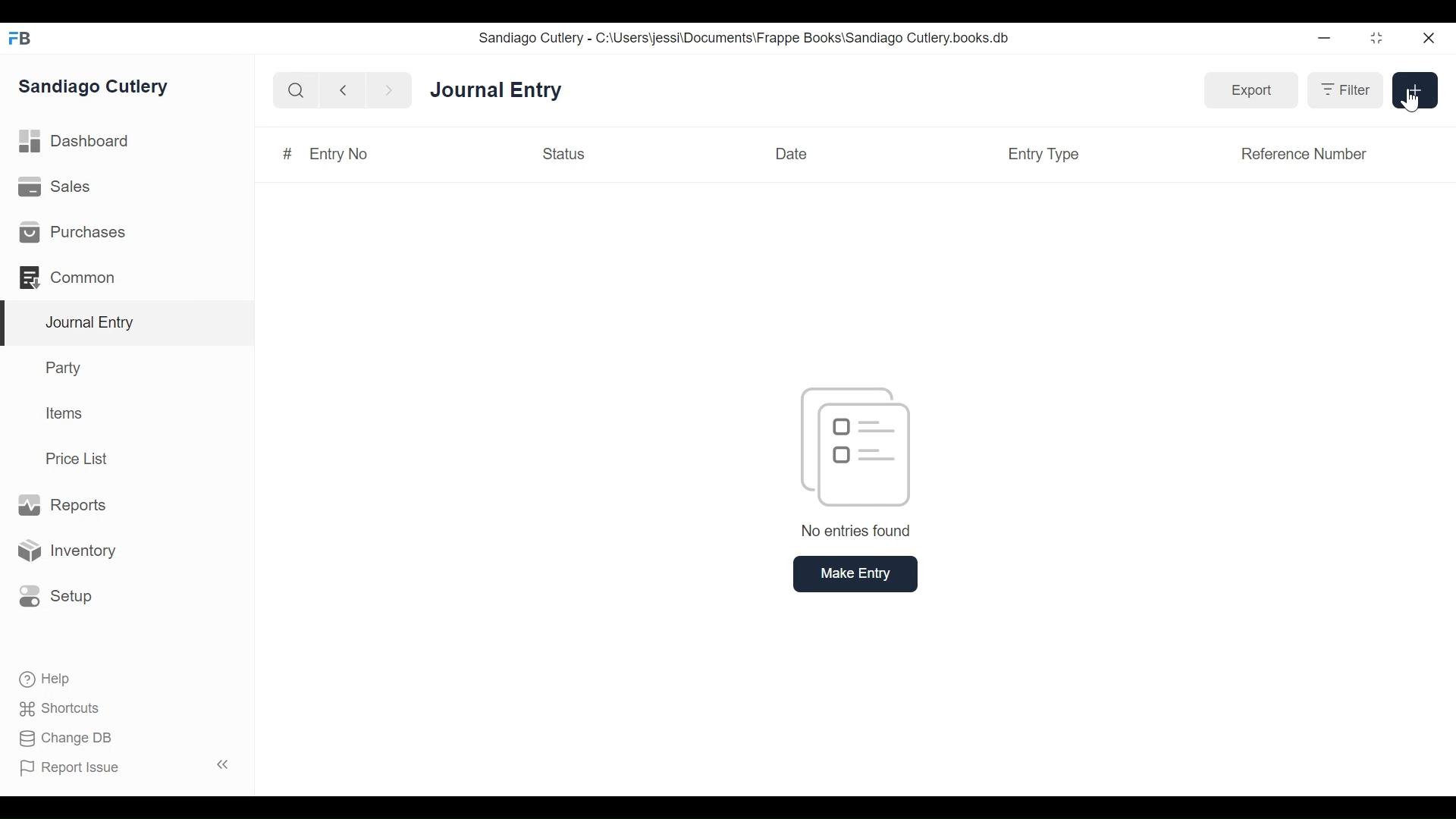 This screenshot has width=1456, height=819. Describe the element at coordinates (60, 187) in the screenshot. I see `Sales` at that location.